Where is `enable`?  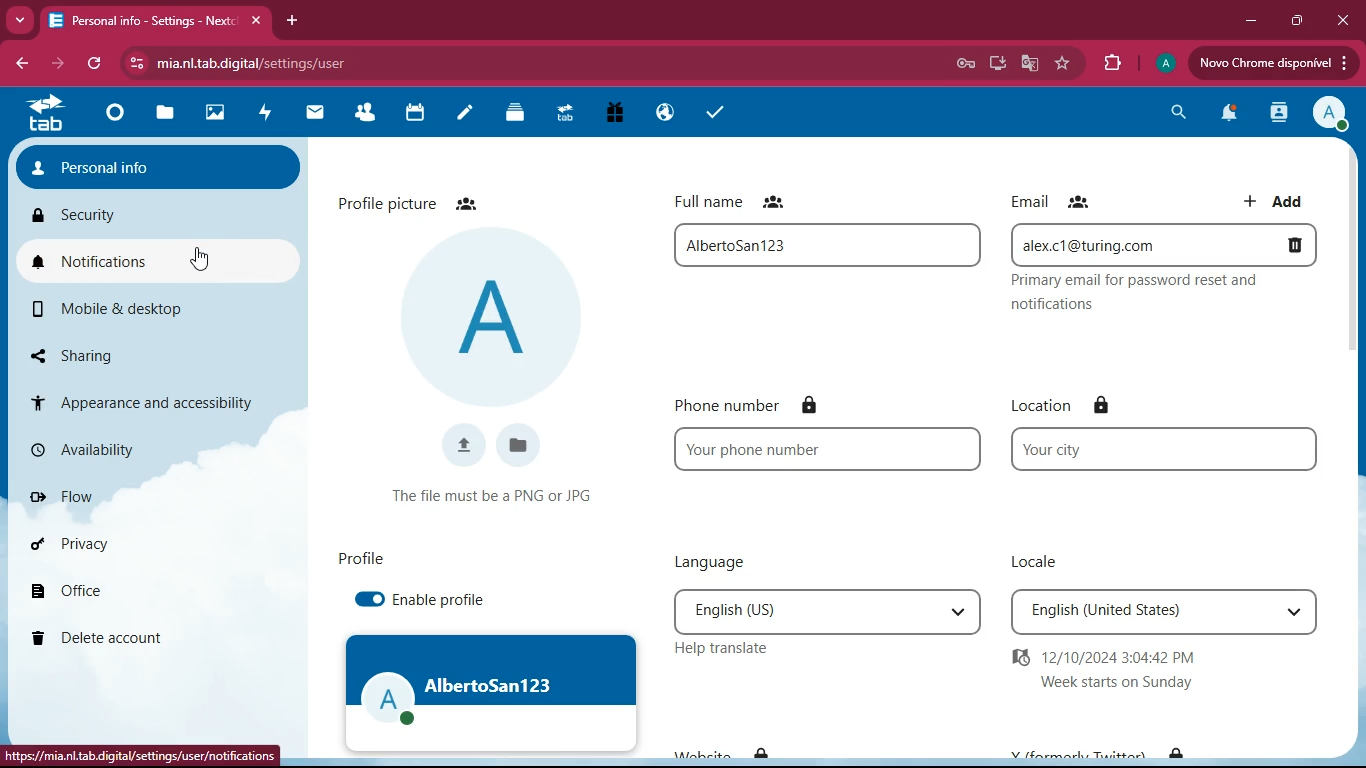 enable is located at coordinates (439, 600).